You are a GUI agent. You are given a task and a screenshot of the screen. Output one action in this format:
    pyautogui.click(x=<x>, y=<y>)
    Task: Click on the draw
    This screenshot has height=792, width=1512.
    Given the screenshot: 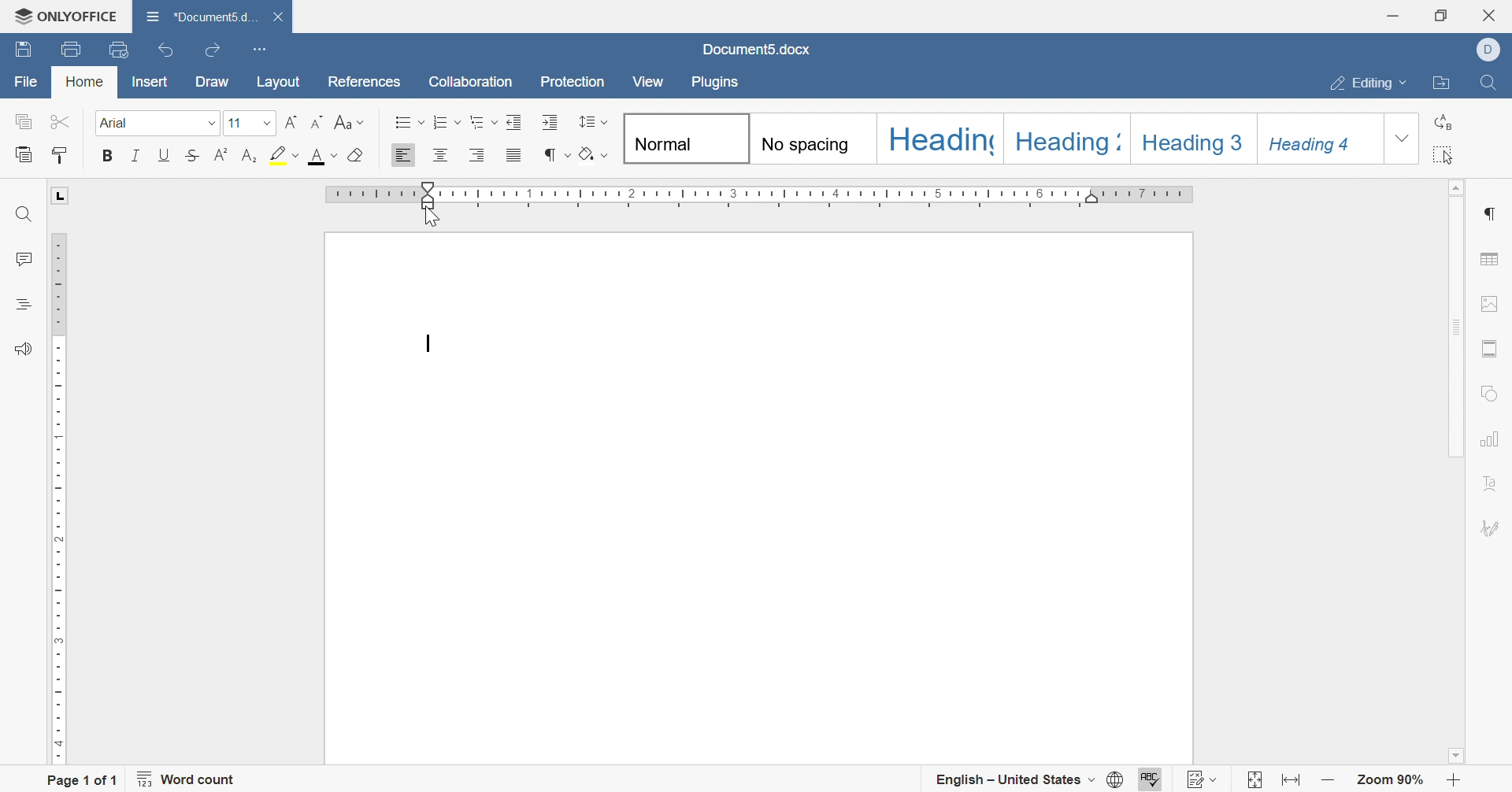 What is the action you would take?
    pyautogui.click(x=211, y=83)
    